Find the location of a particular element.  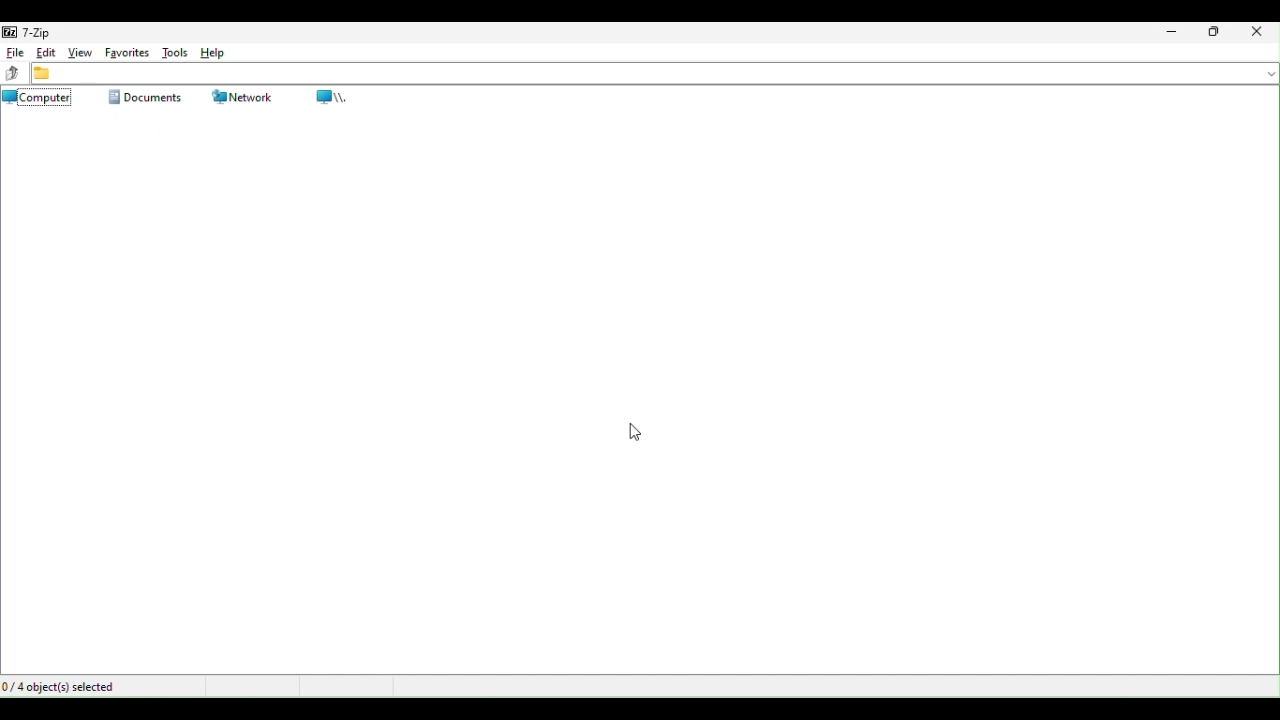

file is located at coordinates (11, 51).